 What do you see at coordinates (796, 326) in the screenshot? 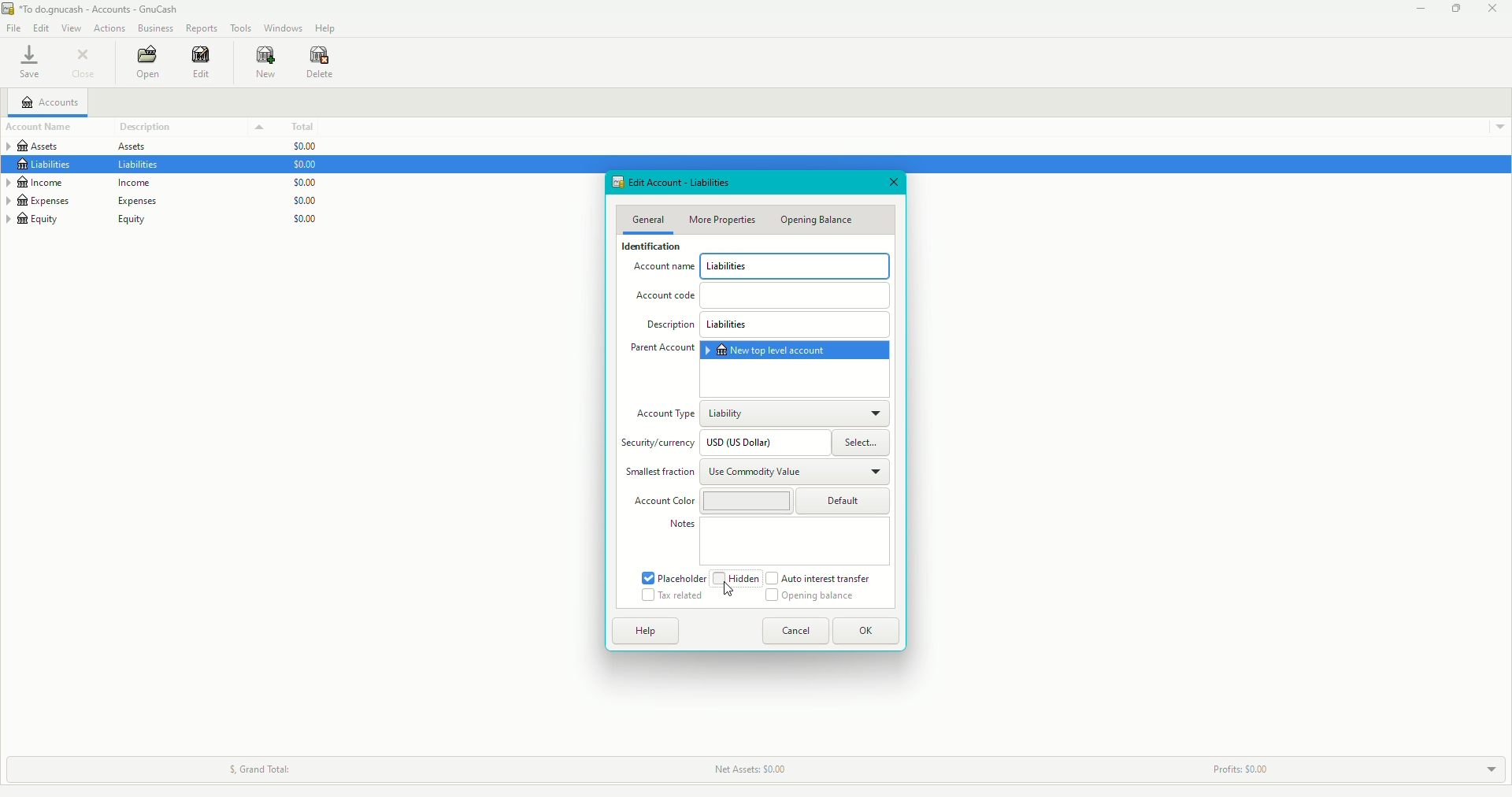
I see `Liabilities` at bounding box center [796, 326].